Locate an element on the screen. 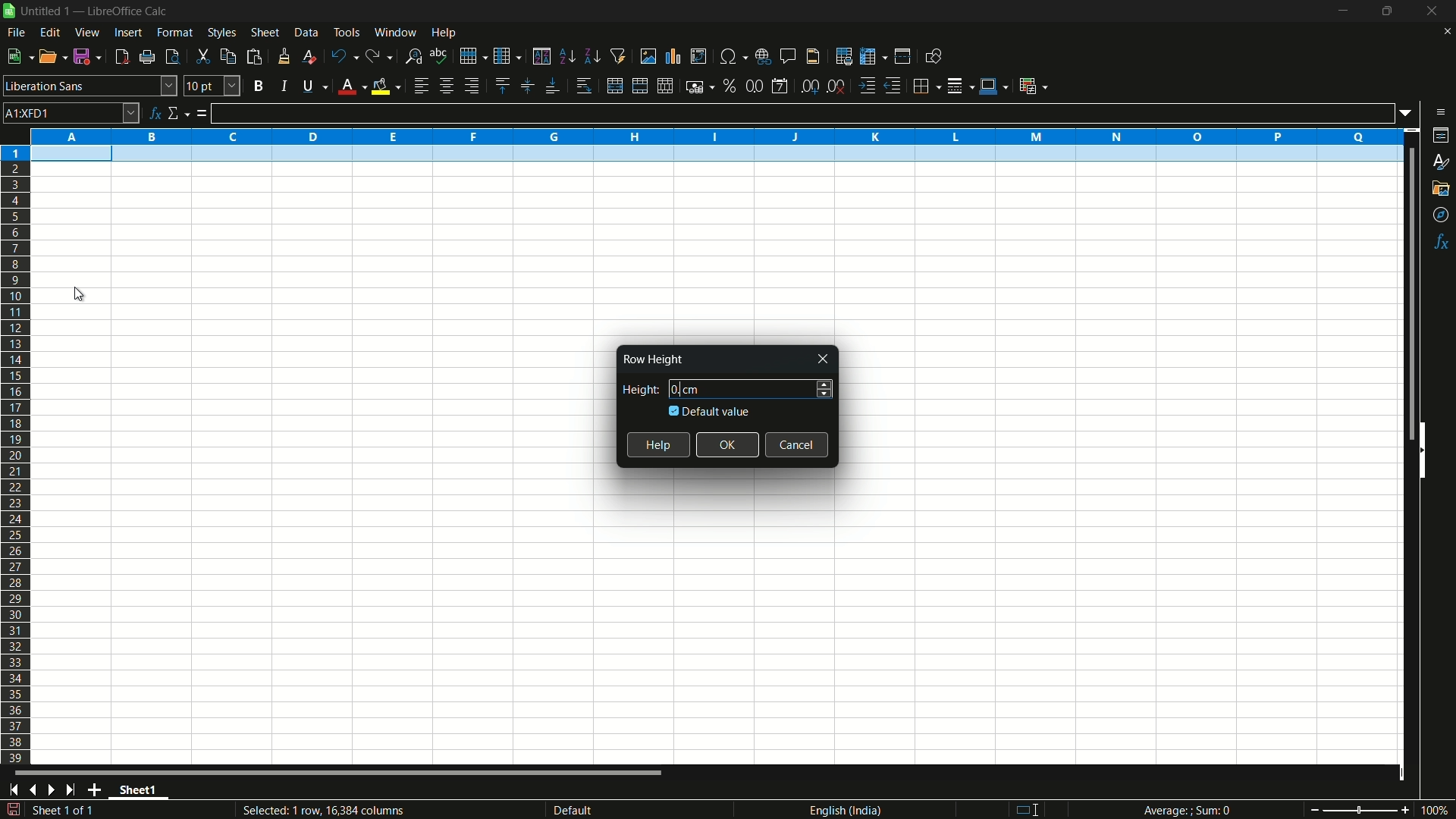 The width and height of the screenshot is (1456, 819). gallery is located at coordinates (1442, 188).